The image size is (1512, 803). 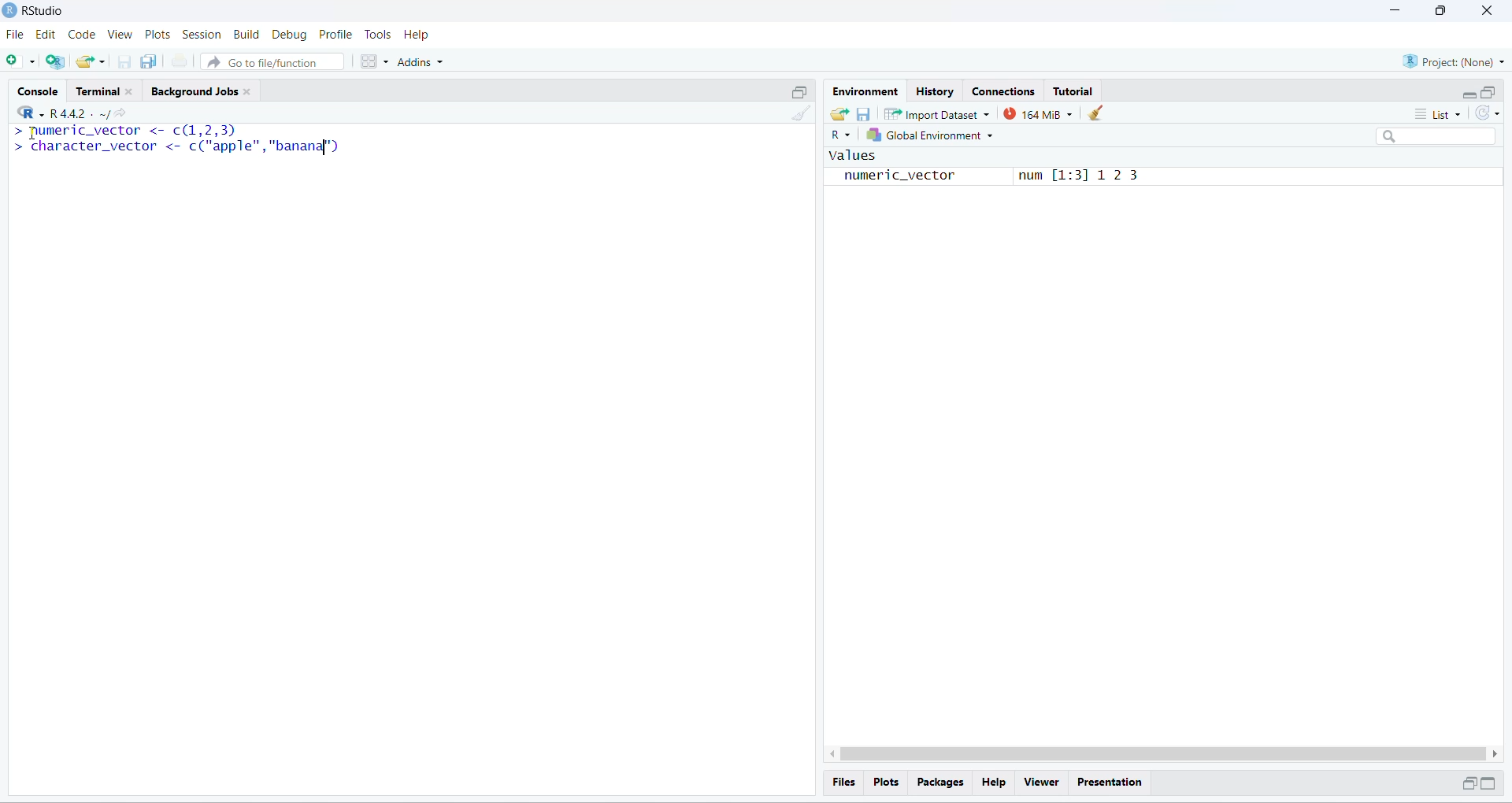 I want to click on numeric_vector, so click(x=890, y=177).